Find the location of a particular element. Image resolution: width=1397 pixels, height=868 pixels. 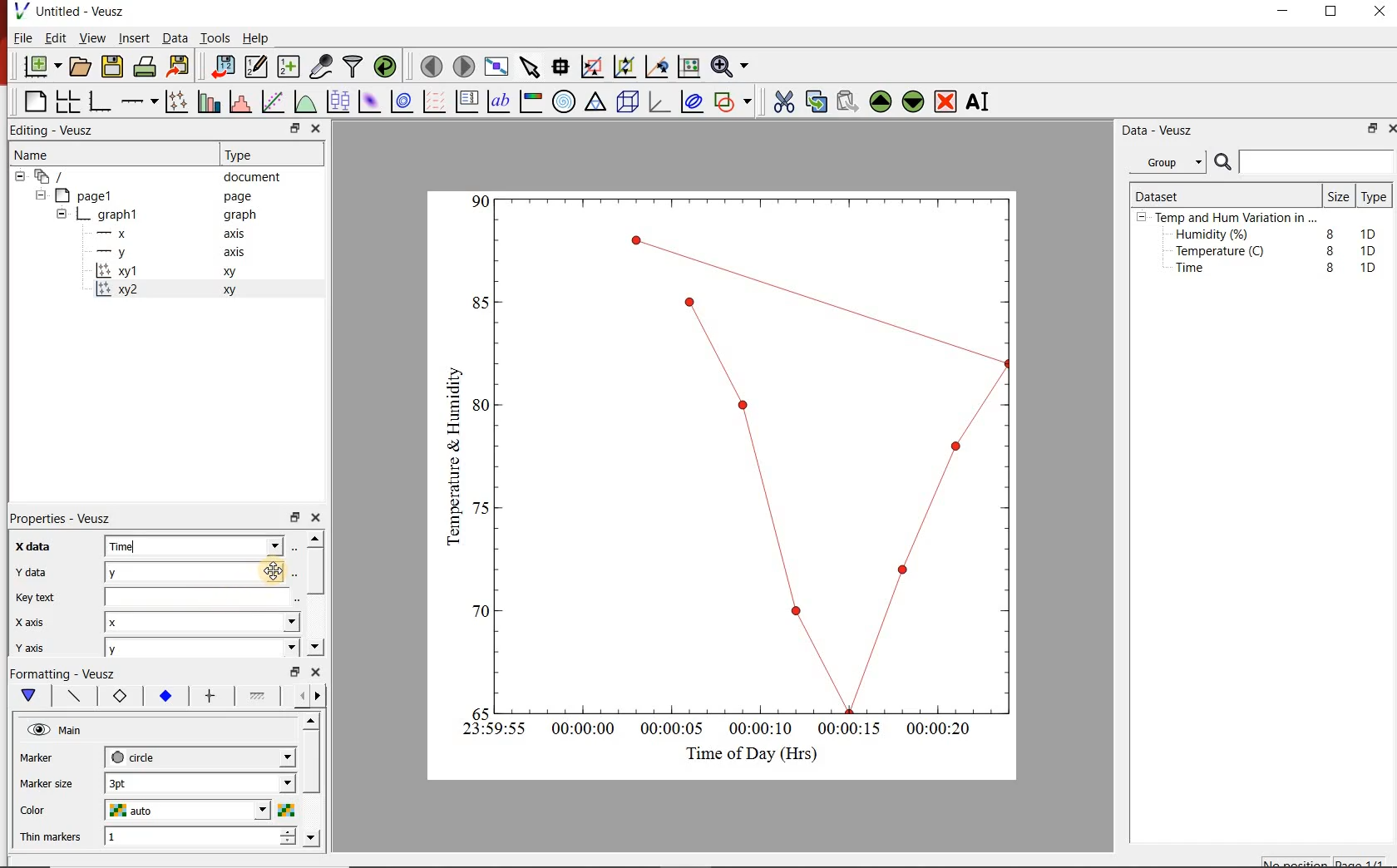

reload linked datasets is located at coordinates (385, 67).